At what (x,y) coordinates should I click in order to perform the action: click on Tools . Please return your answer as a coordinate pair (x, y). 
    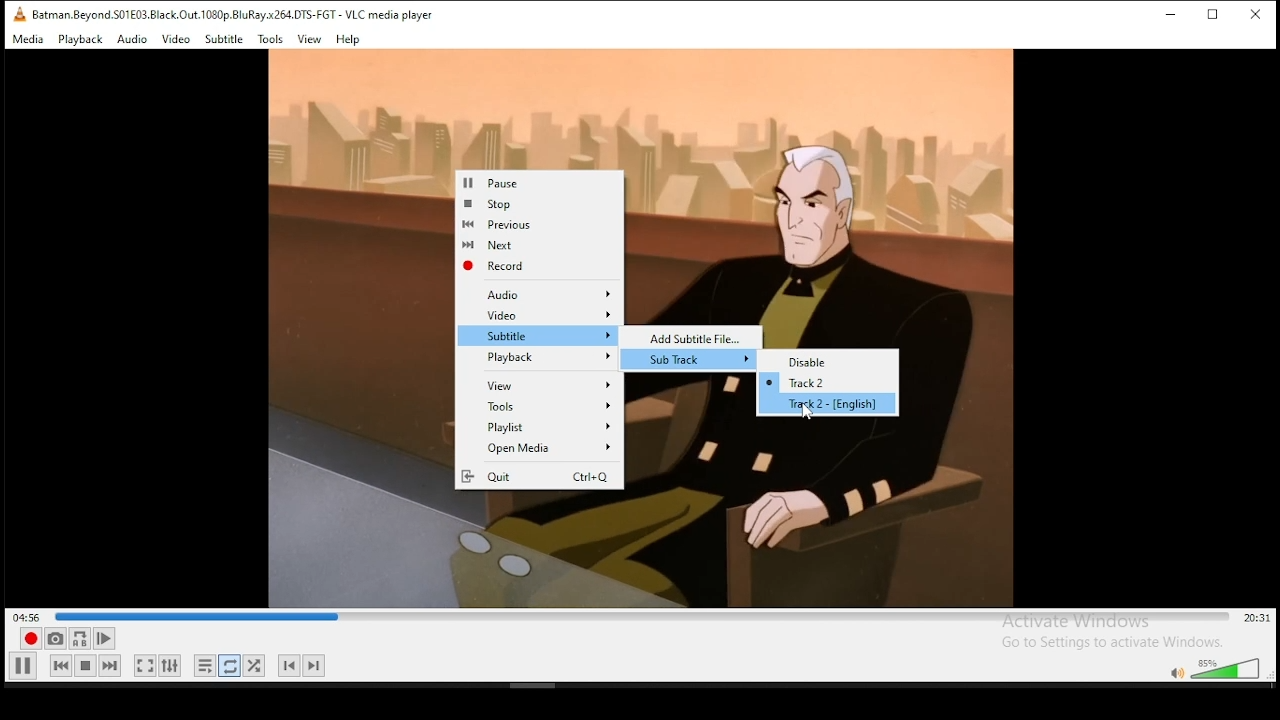
    Looking at the image, I should click on (548, 408).